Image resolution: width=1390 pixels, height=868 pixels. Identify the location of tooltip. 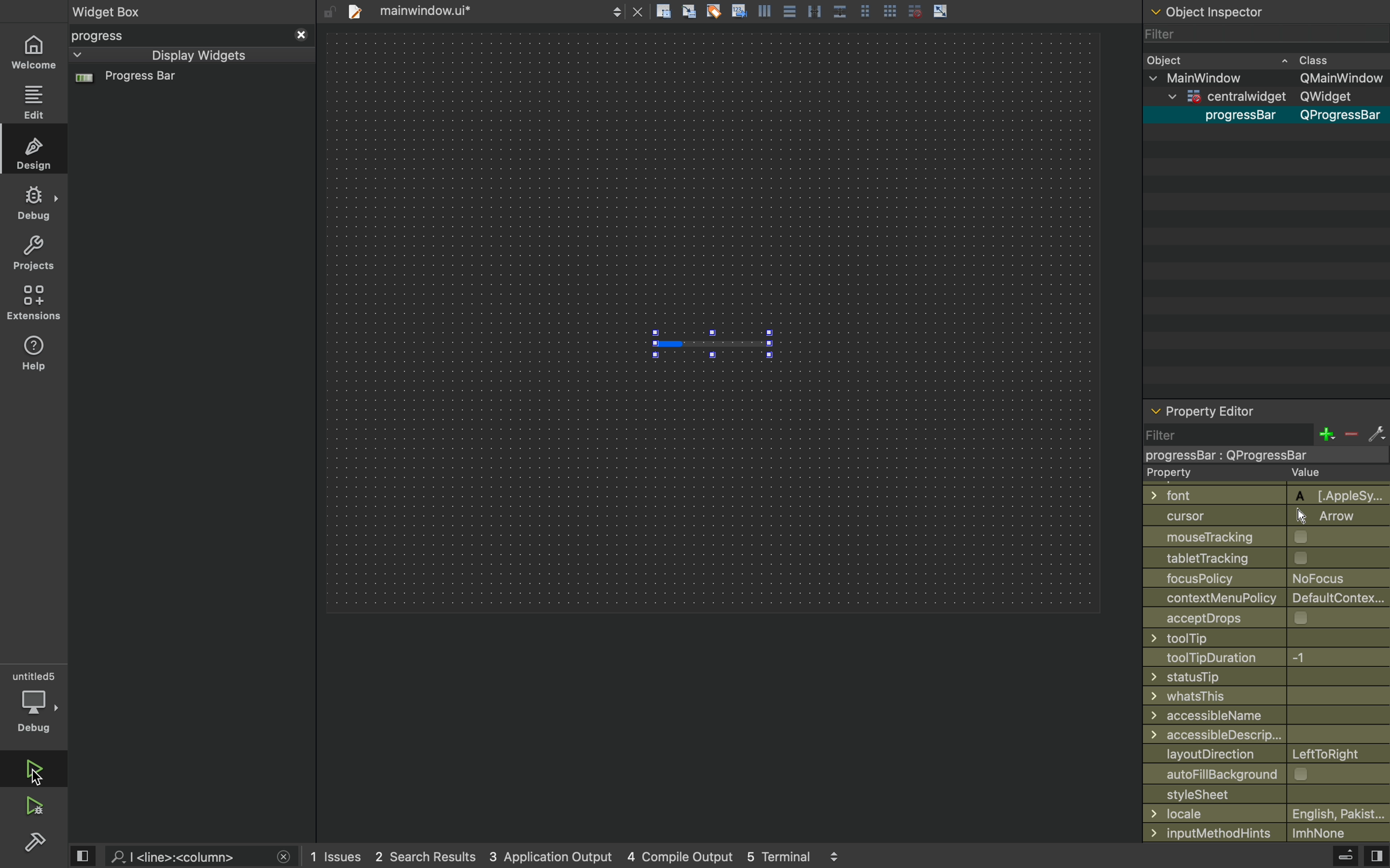
(1255, 638).